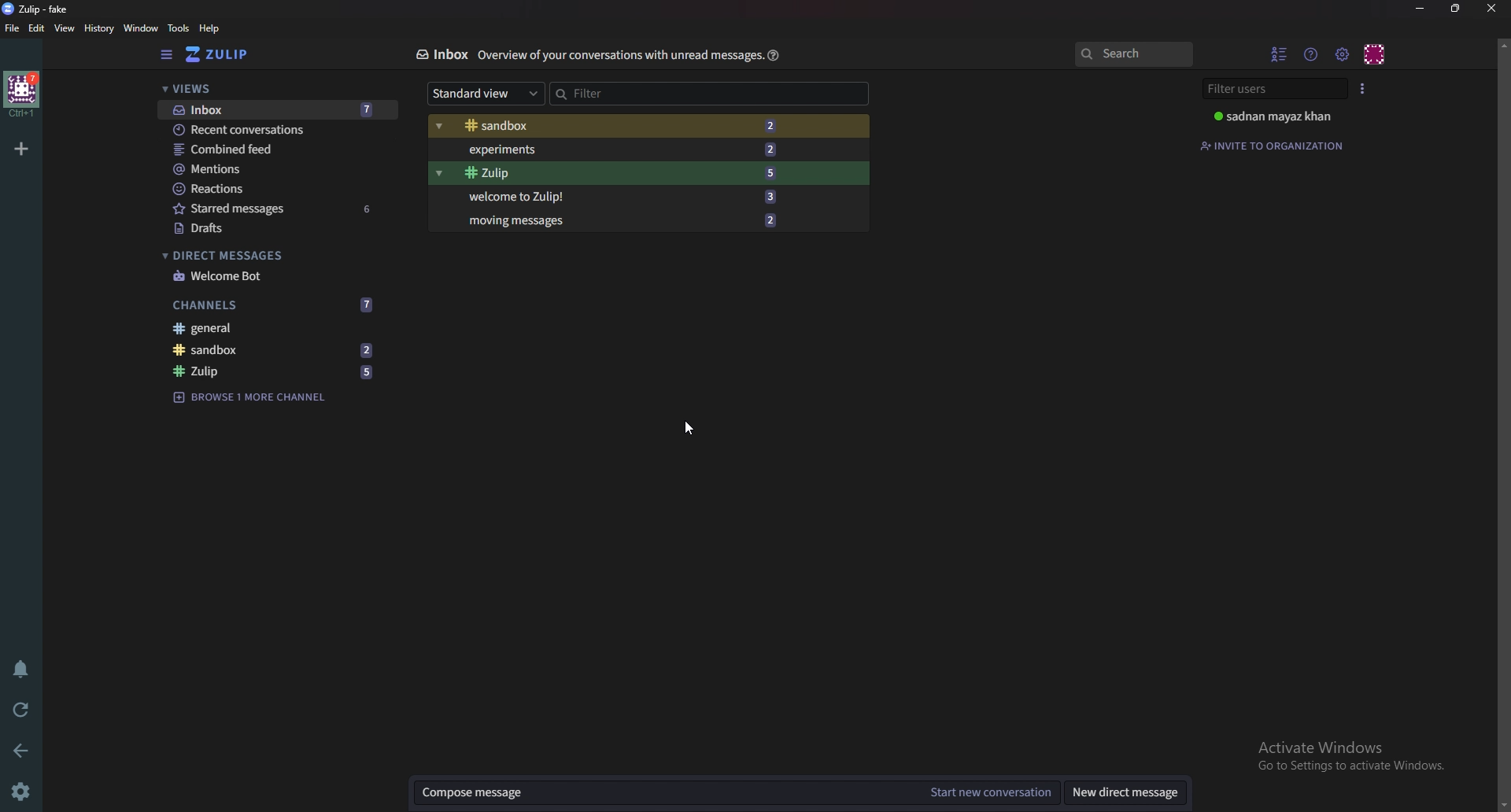 The width and height of the screenshot is (1511, 812). What do you see at coordinates (273, 349) in the screenshot?
I see `Sandbox` at bounding box center [273, 349].